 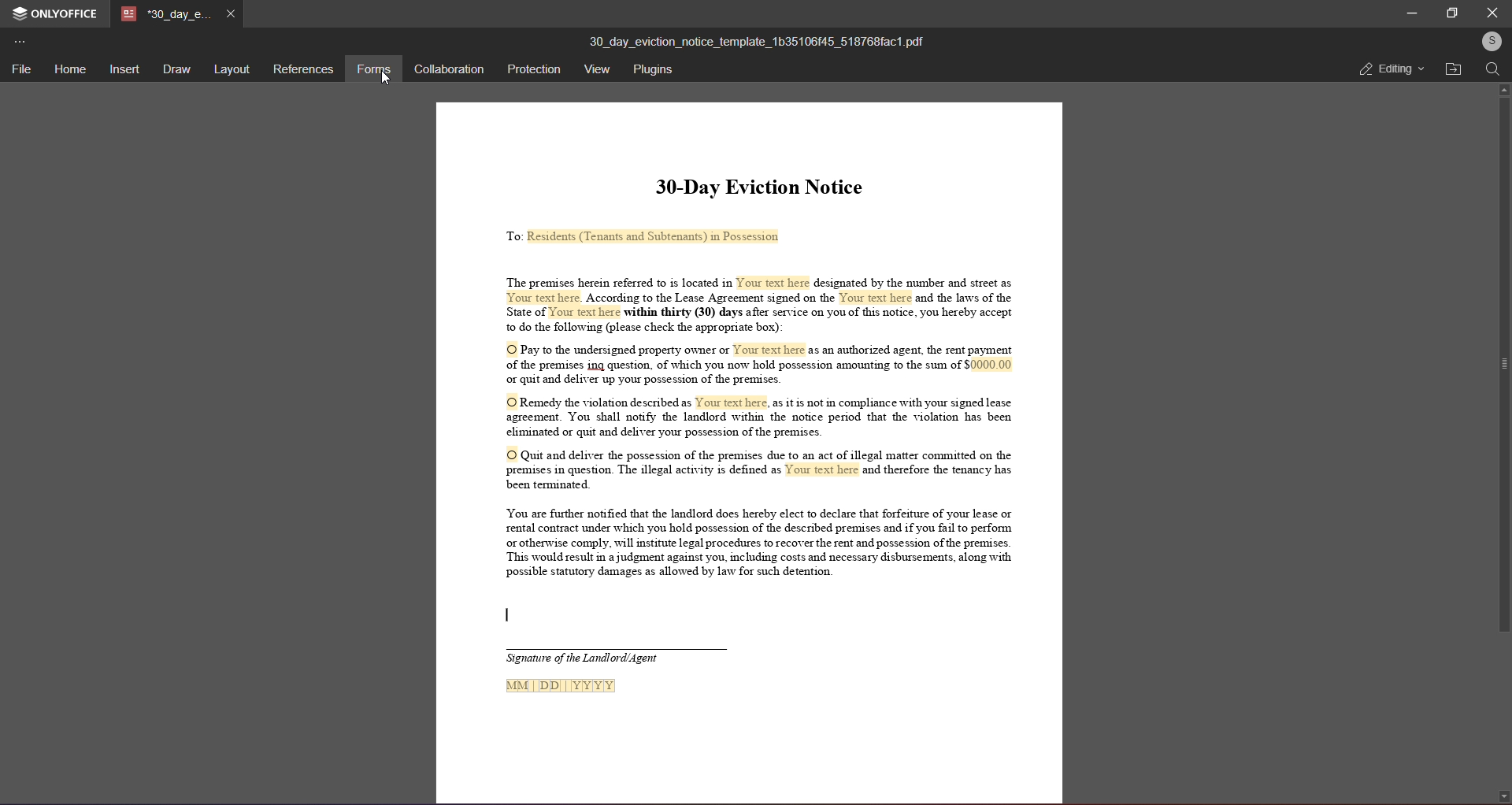 What do you see at coordinates (385, 80) in the screenshot?
I see `Cursor` at bounding box center [385, 80].